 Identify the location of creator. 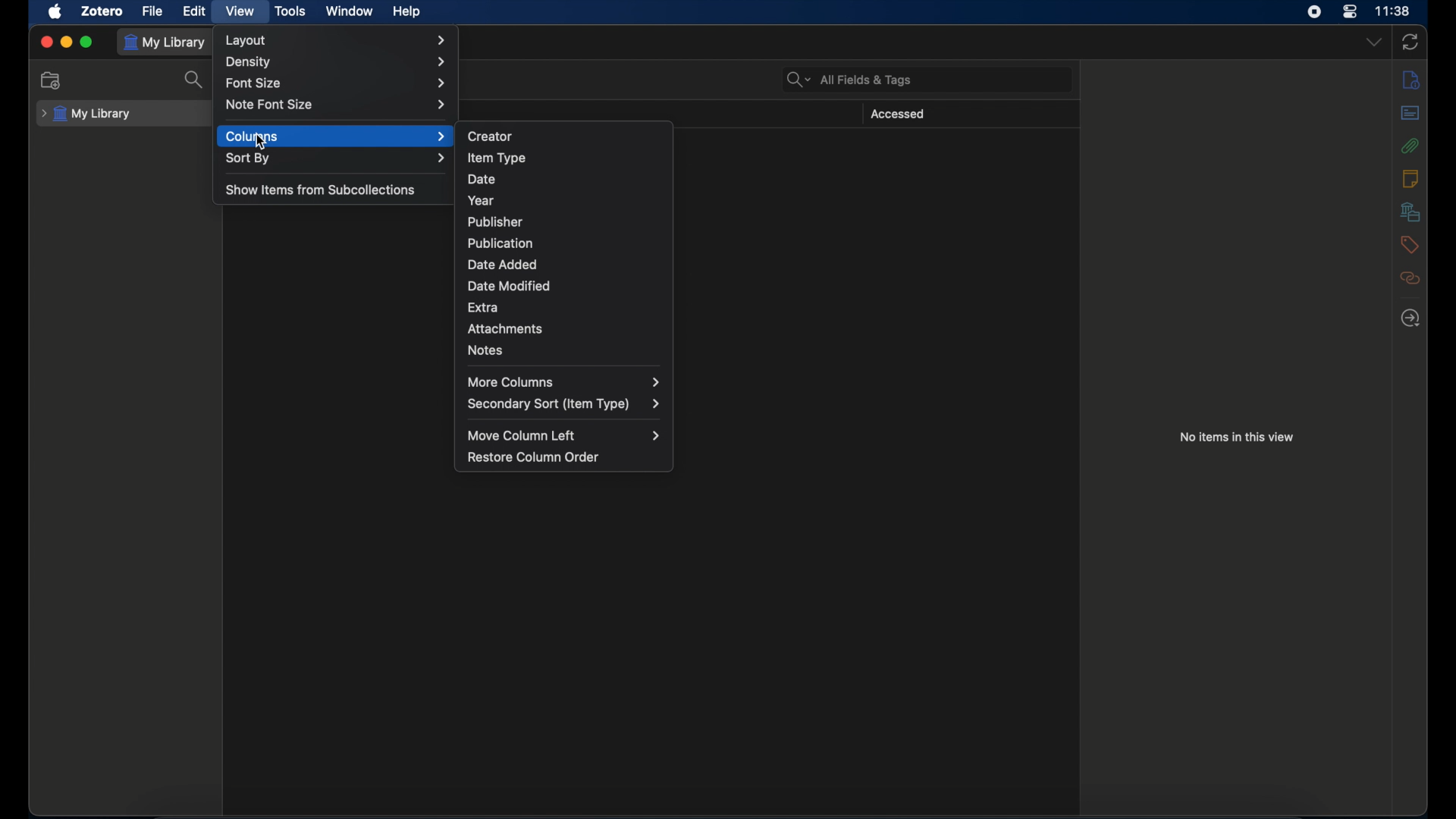
(491, 136).